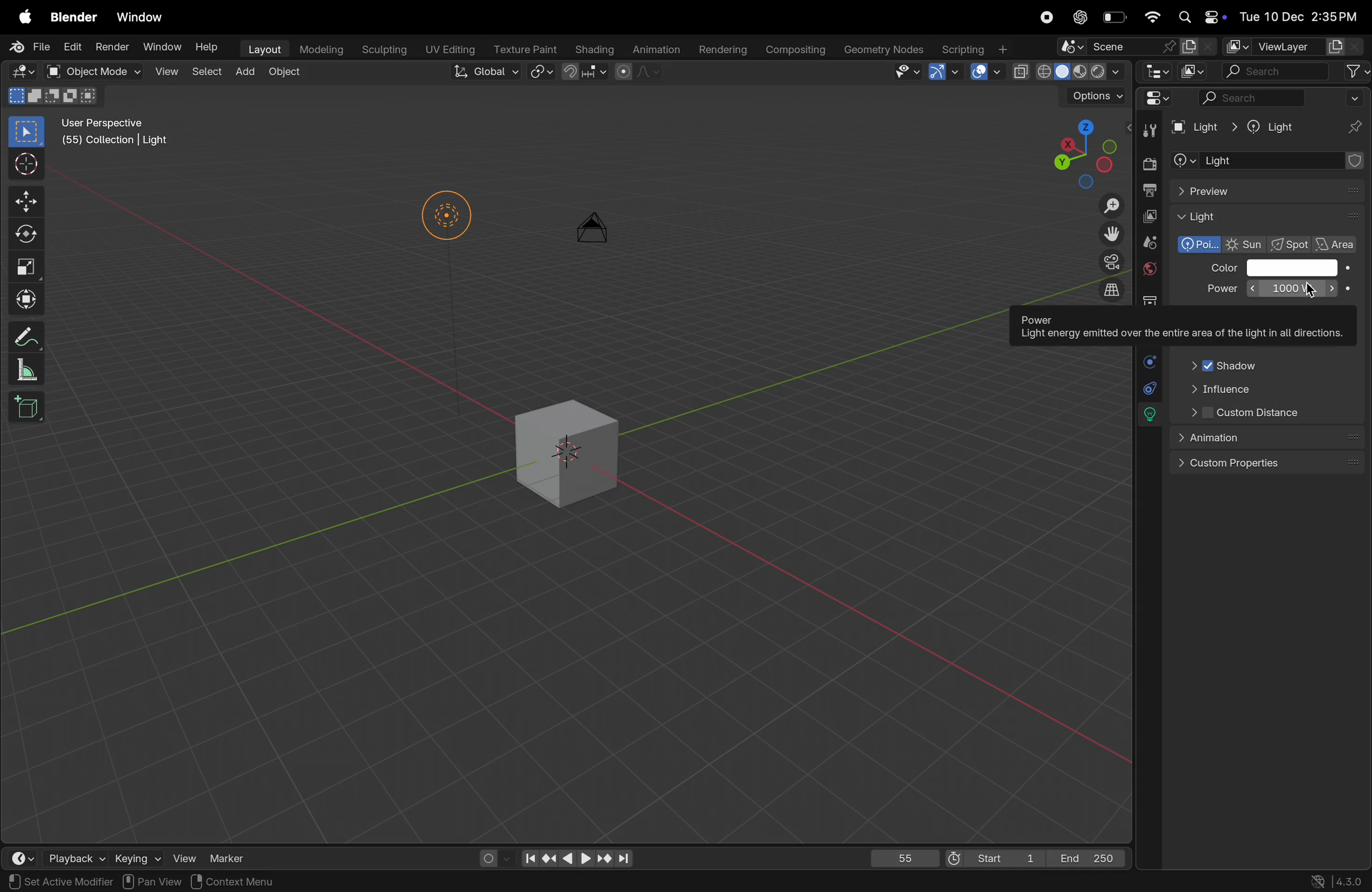 The width and height of the screenshot is (1372, 892). Describe the element at coordinates (1152, 334) in the screenshot. I see `object` at that location.